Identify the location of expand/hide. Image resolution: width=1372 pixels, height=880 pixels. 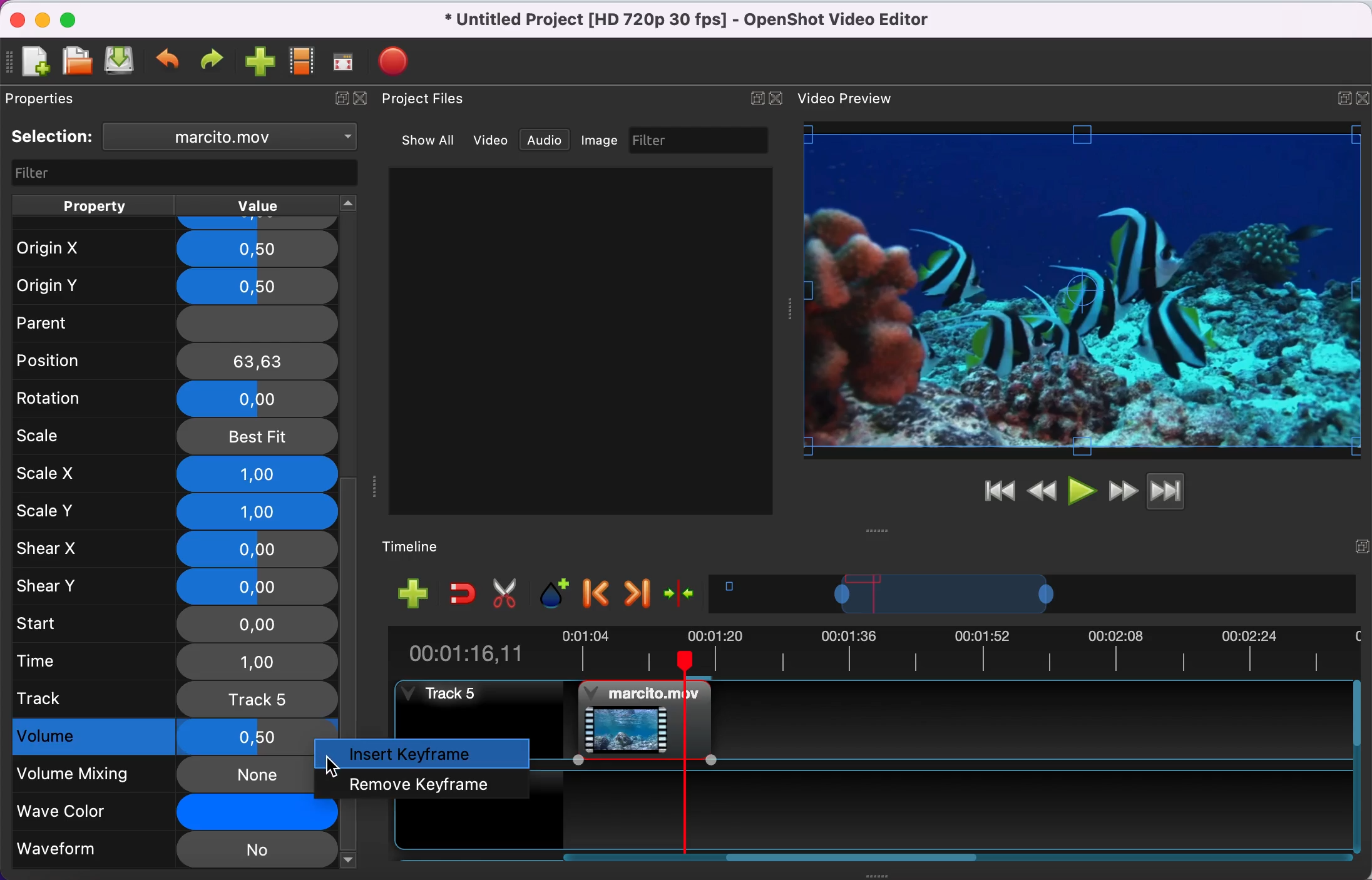
(338, 101).